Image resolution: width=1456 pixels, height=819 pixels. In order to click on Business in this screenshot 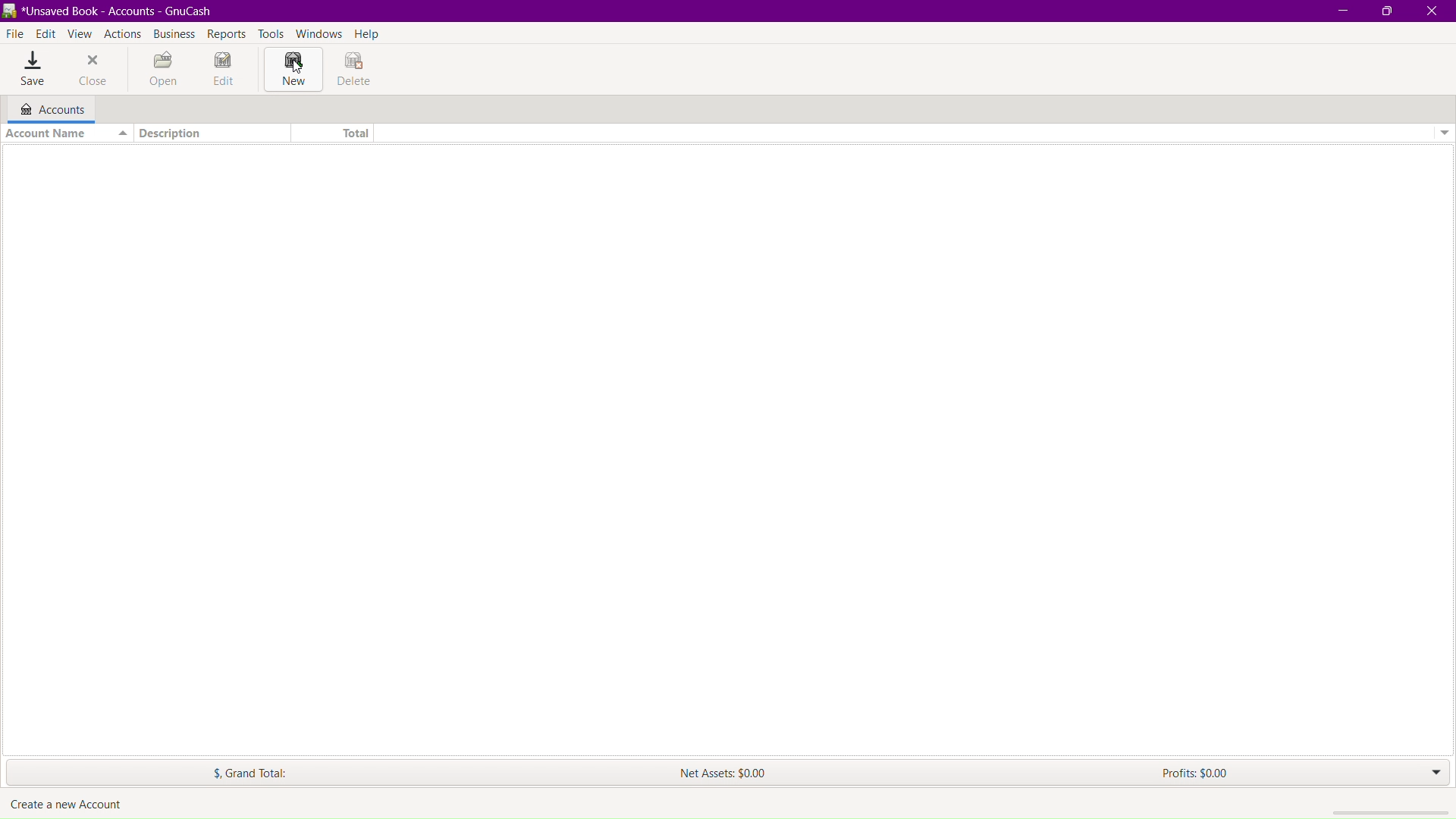, I will do `click(171, 30)`.